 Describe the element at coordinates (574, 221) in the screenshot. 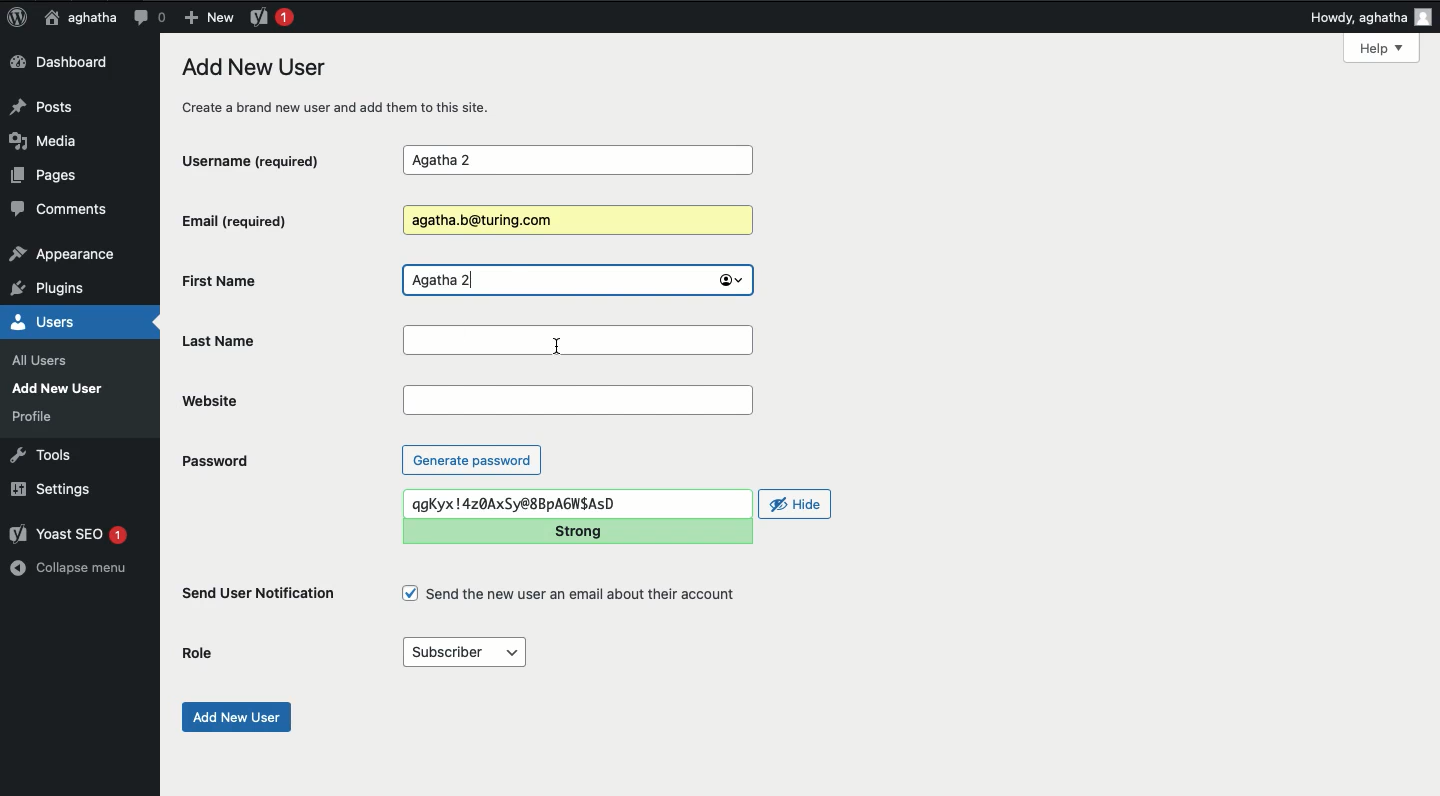

I see `Agatha.b@turing.com` at that location.